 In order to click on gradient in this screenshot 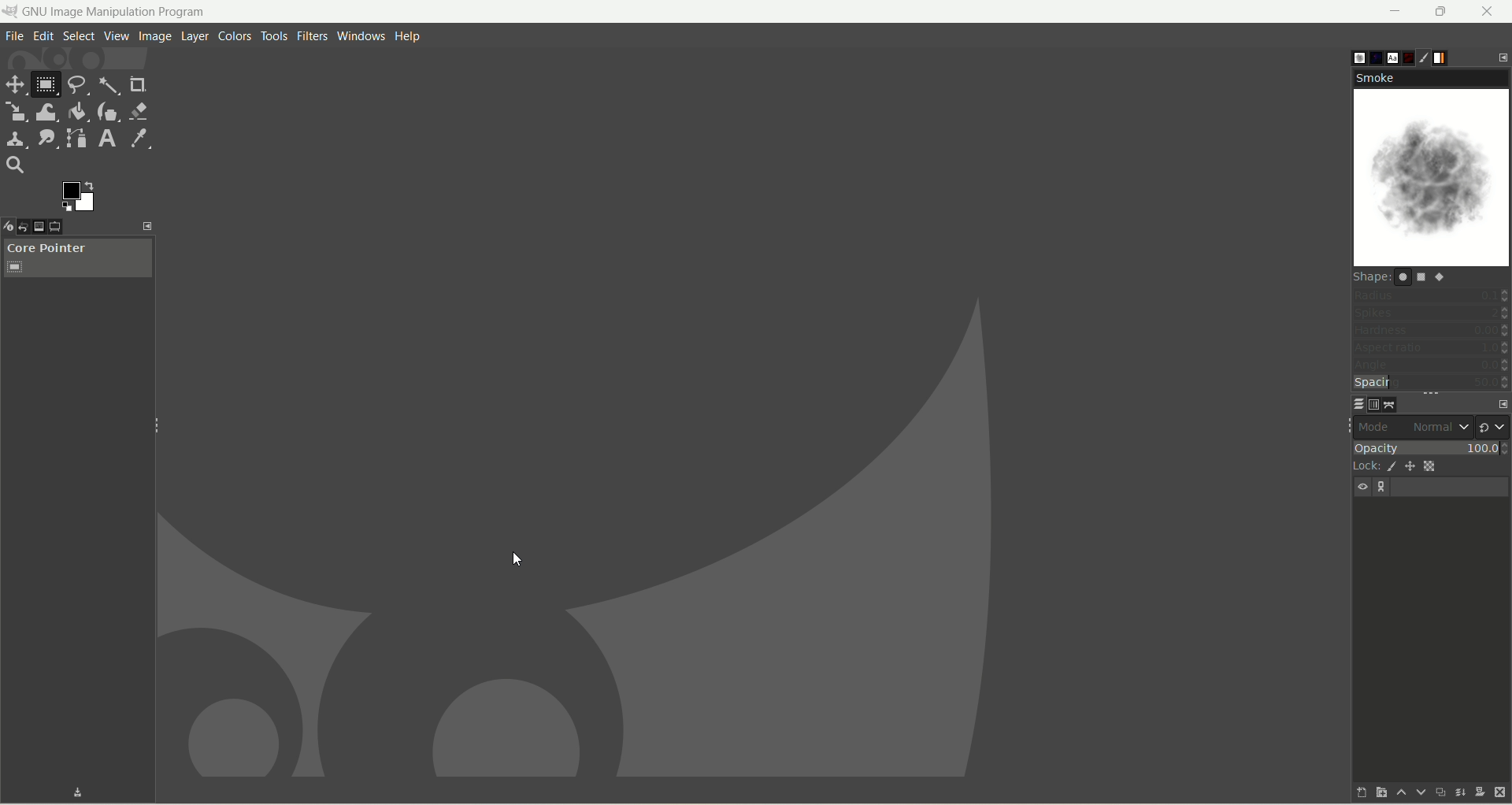, I will do `click(1451, 56)`.